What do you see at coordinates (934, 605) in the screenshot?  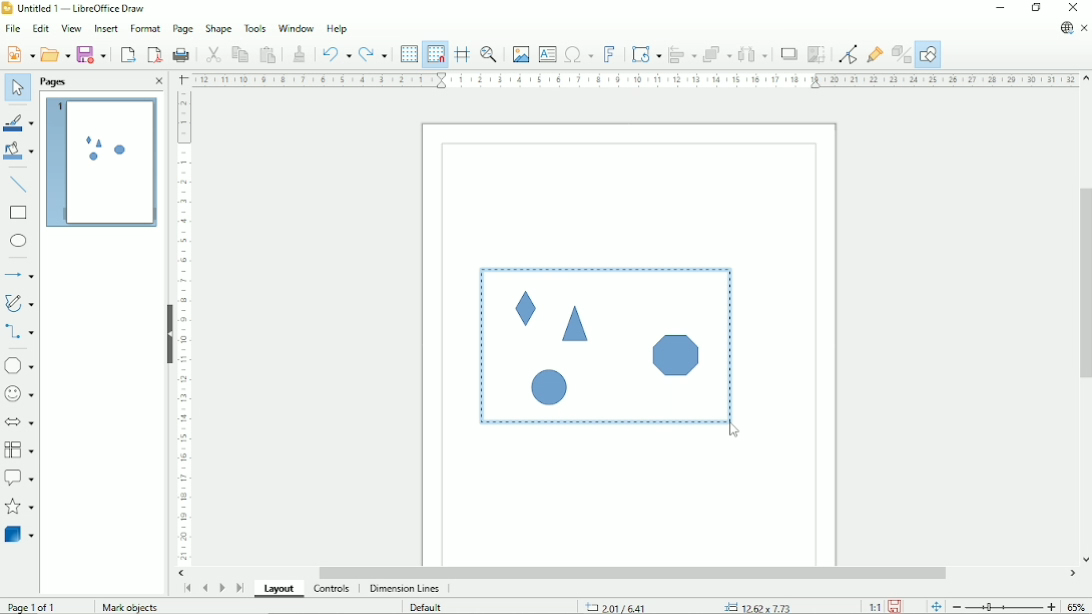 I see `Fit page to the current window` at bounding box center [934, 605].